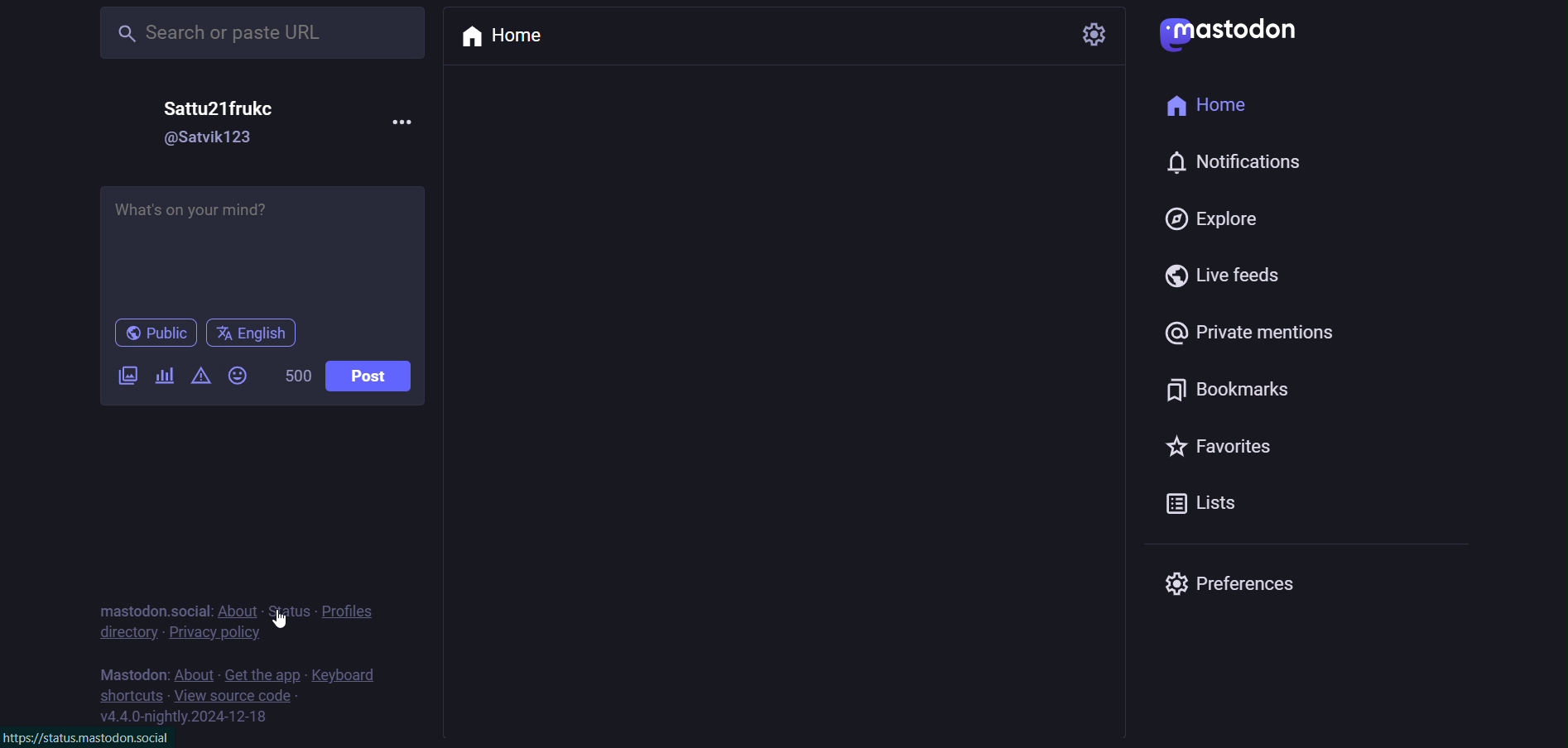 This screenshot has height=748, width=1568. What do you see at coordinates (1226, 585) in the screenshot?
I see `preferences` at bounding box center [1226, 585].